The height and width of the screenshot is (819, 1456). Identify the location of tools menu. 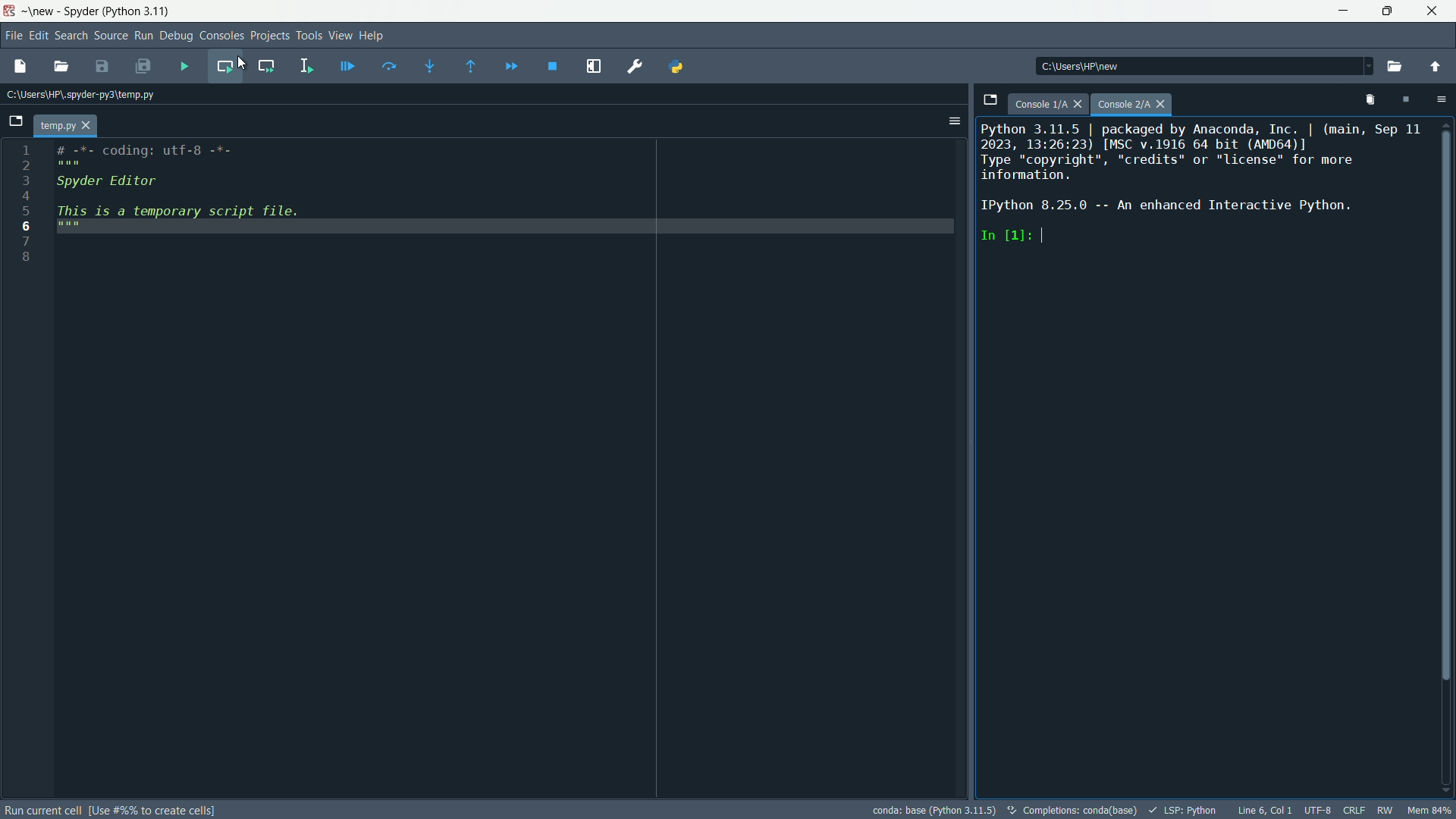
(309, 36).